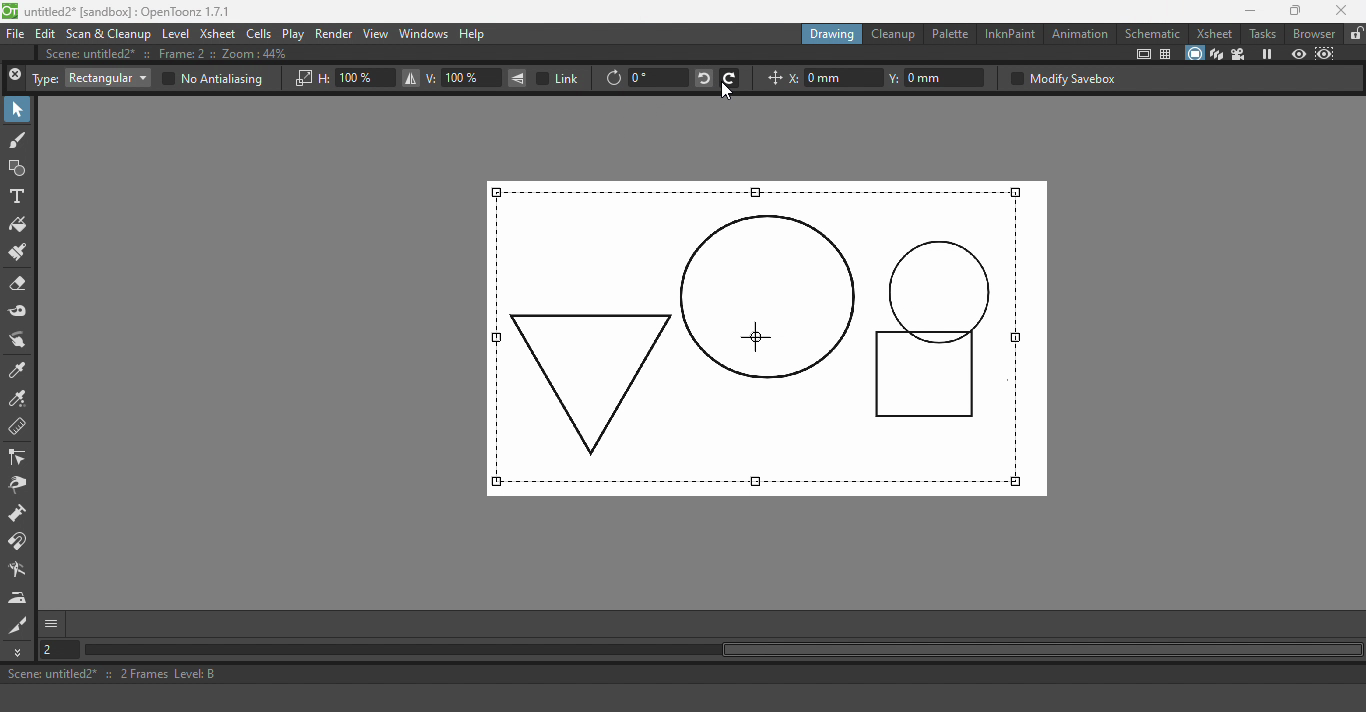 Image resolution: width=1366 pixels, height=712 pixels. What do you see at coordinates (376, 34) in the screenshot?
I see `View` at bounding box center [376, 34].